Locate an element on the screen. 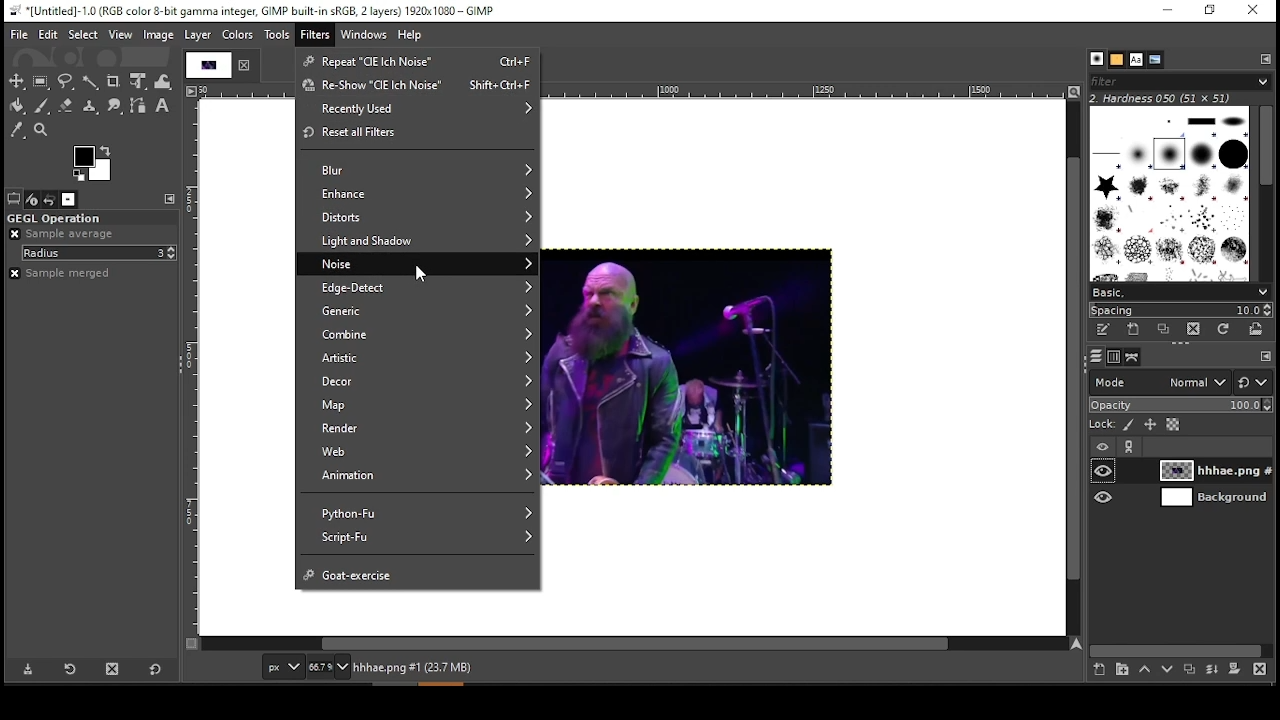 The image size is (1280, 720). document history is located at coordinates (1152, 60).